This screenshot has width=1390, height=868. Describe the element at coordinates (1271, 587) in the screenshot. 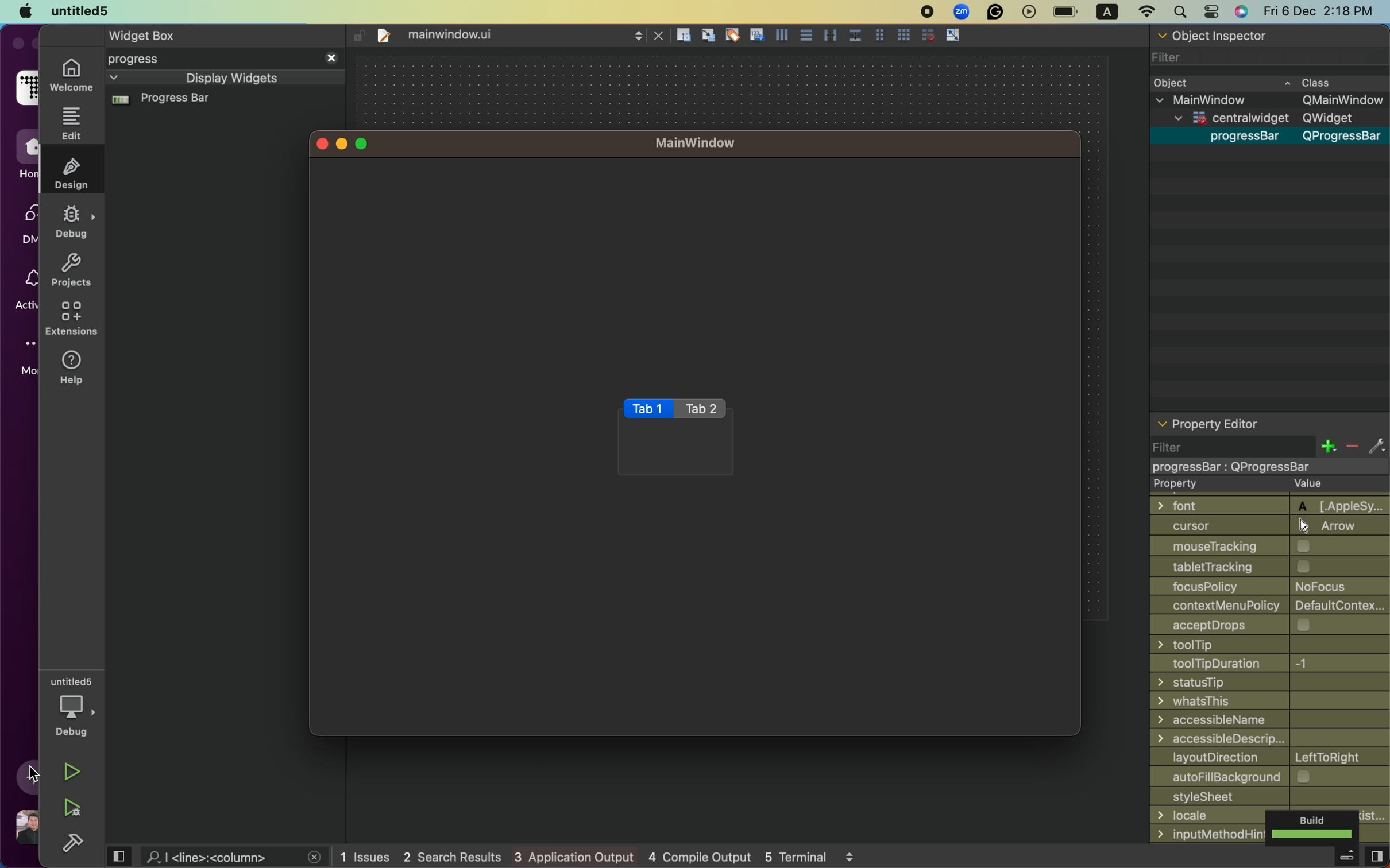

I see `Policy` at that location.